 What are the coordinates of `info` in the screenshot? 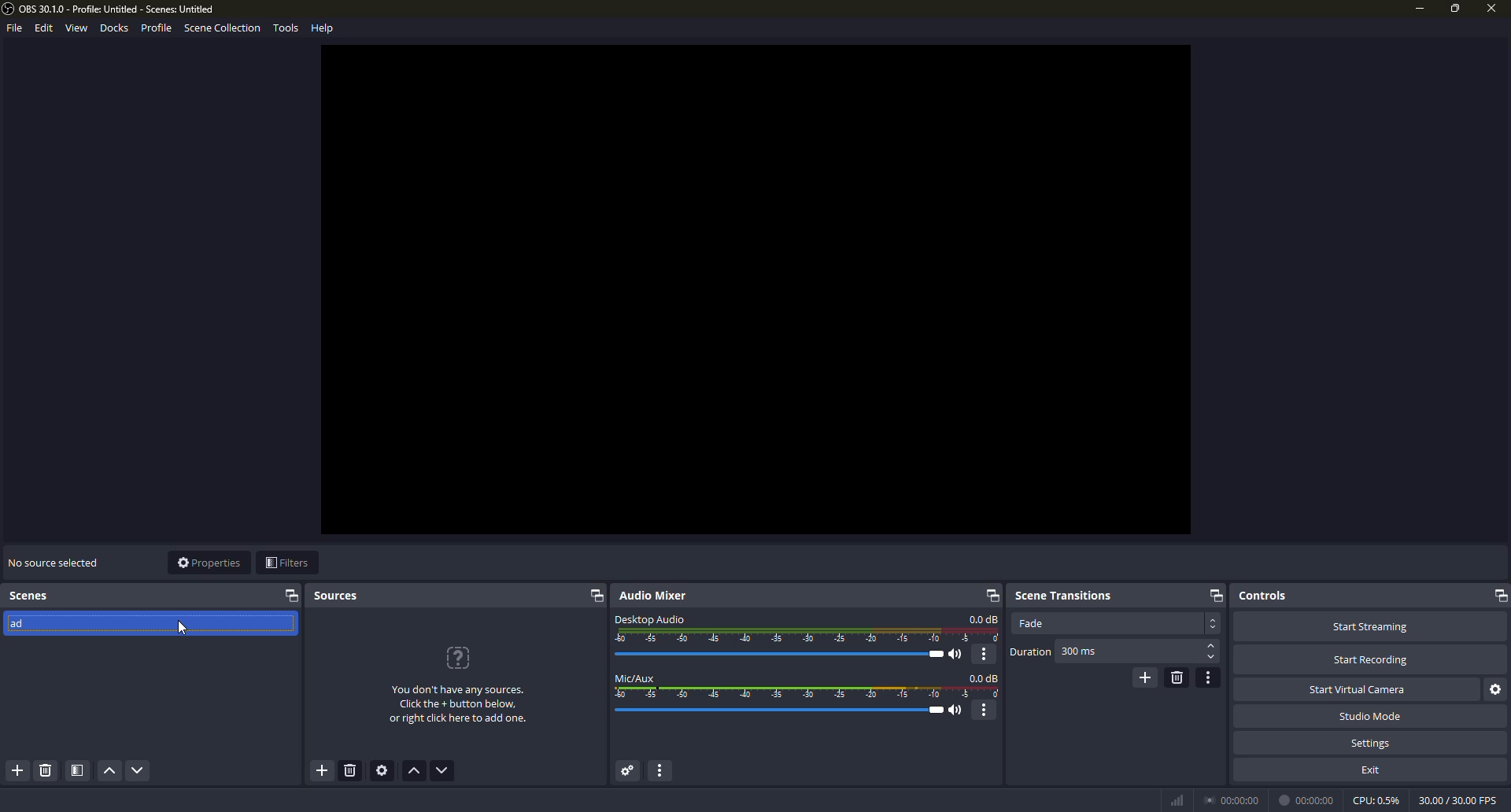 It's located at (458, 706).